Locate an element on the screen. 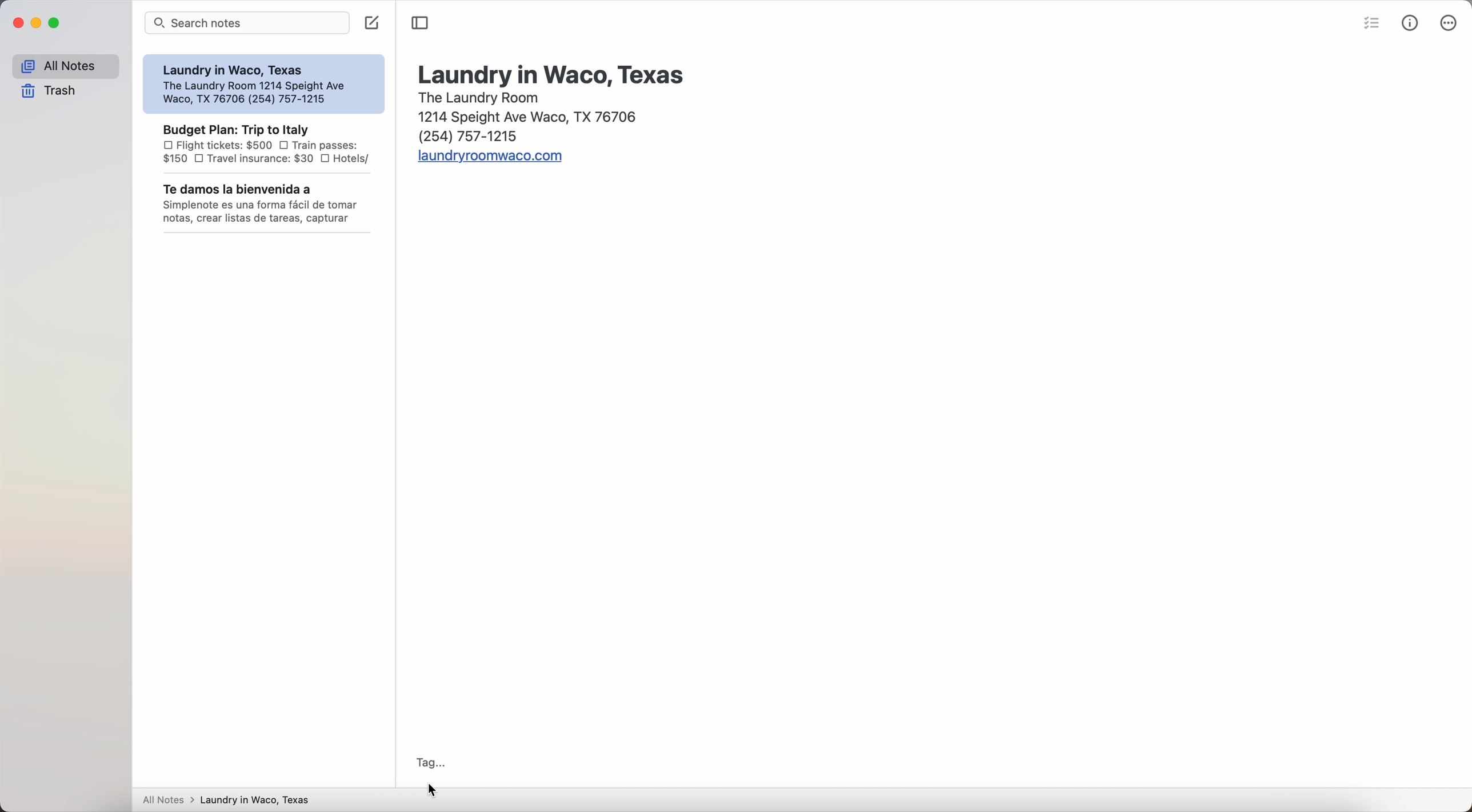 This screenshot has height=812, width=1472. metrics is located at coordinates (1413, 23).